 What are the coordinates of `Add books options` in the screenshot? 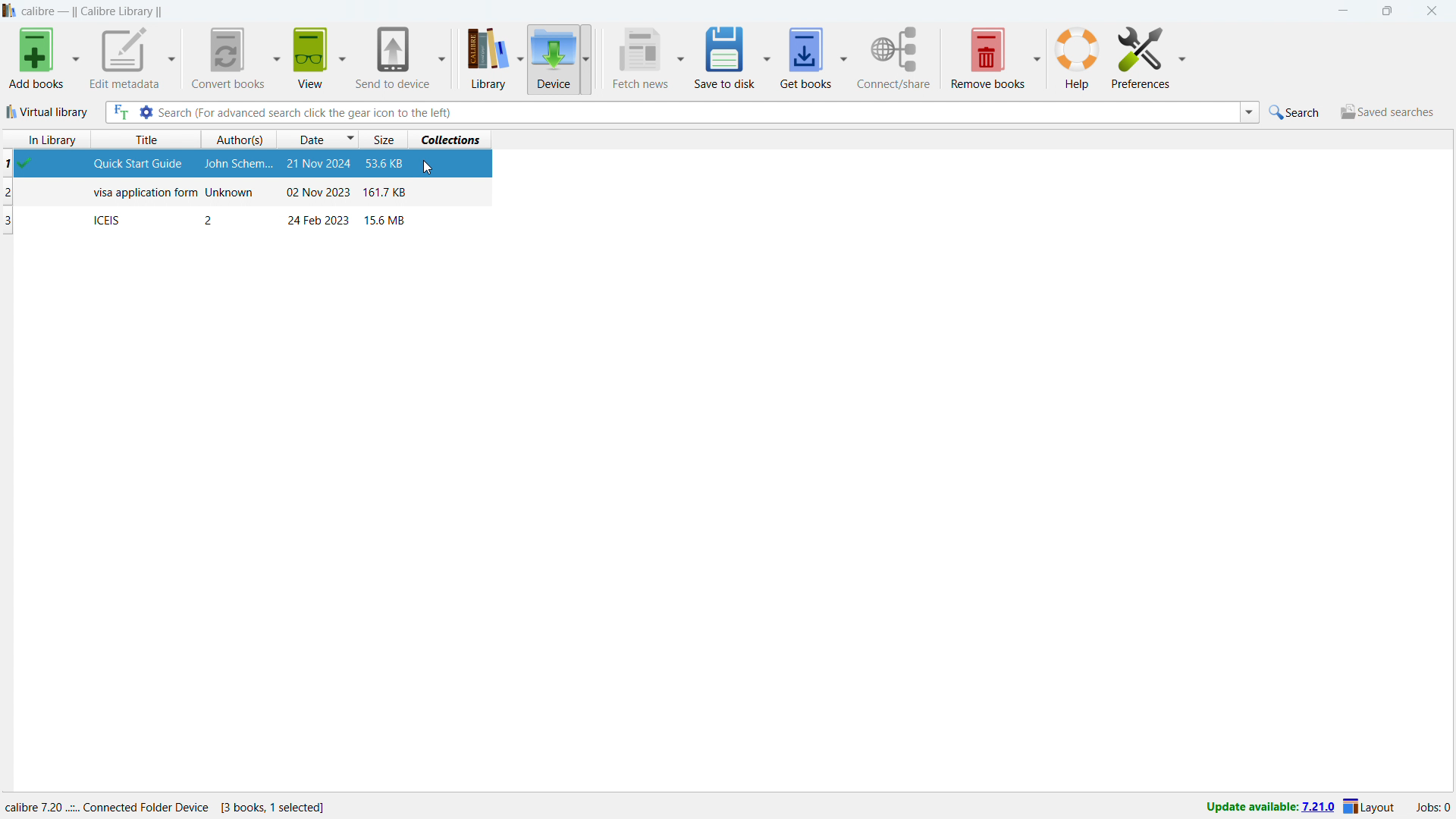 It's located at (76, 58).